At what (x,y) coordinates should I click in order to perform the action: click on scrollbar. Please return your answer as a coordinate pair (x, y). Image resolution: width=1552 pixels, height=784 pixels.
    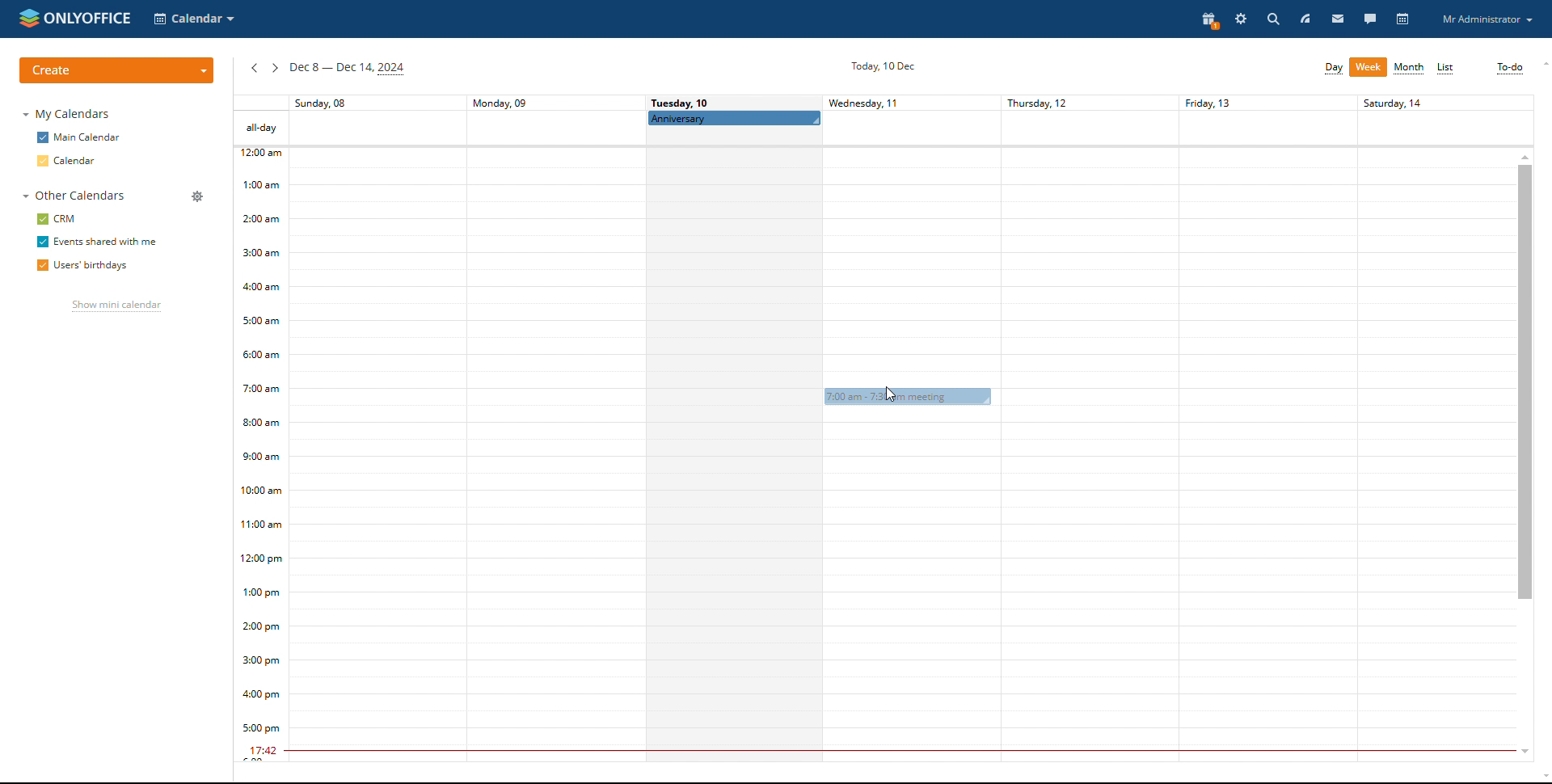
    Looking at the image, I should click on (1525, 381).